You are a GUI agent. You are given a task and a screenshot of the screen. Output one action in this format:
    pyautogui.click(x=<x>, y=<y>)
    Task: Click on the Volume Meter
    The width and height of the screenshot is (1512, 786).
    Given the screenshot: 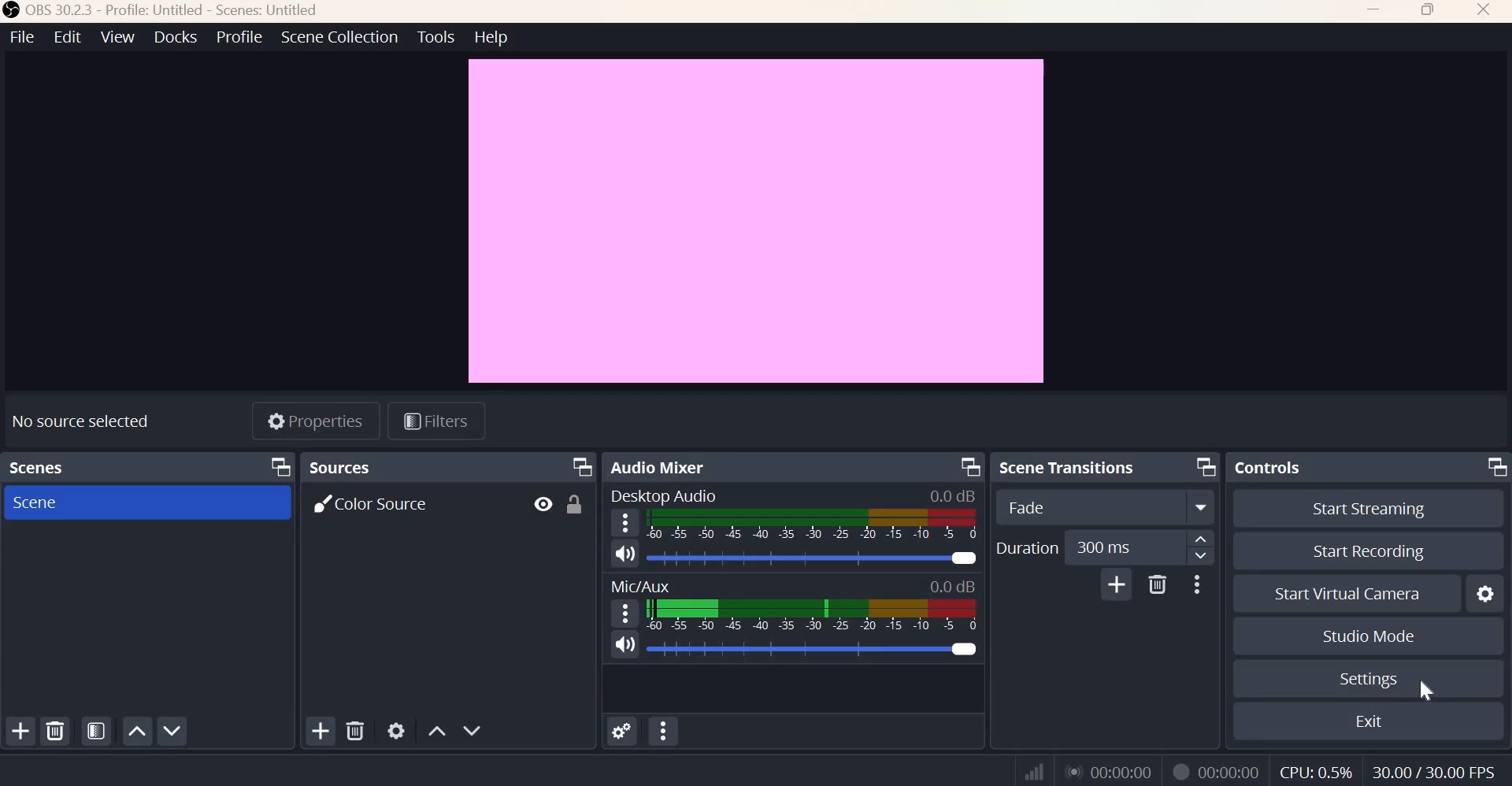 What is the action you would take?
    pyautogui.click(x=811, y=614)
    